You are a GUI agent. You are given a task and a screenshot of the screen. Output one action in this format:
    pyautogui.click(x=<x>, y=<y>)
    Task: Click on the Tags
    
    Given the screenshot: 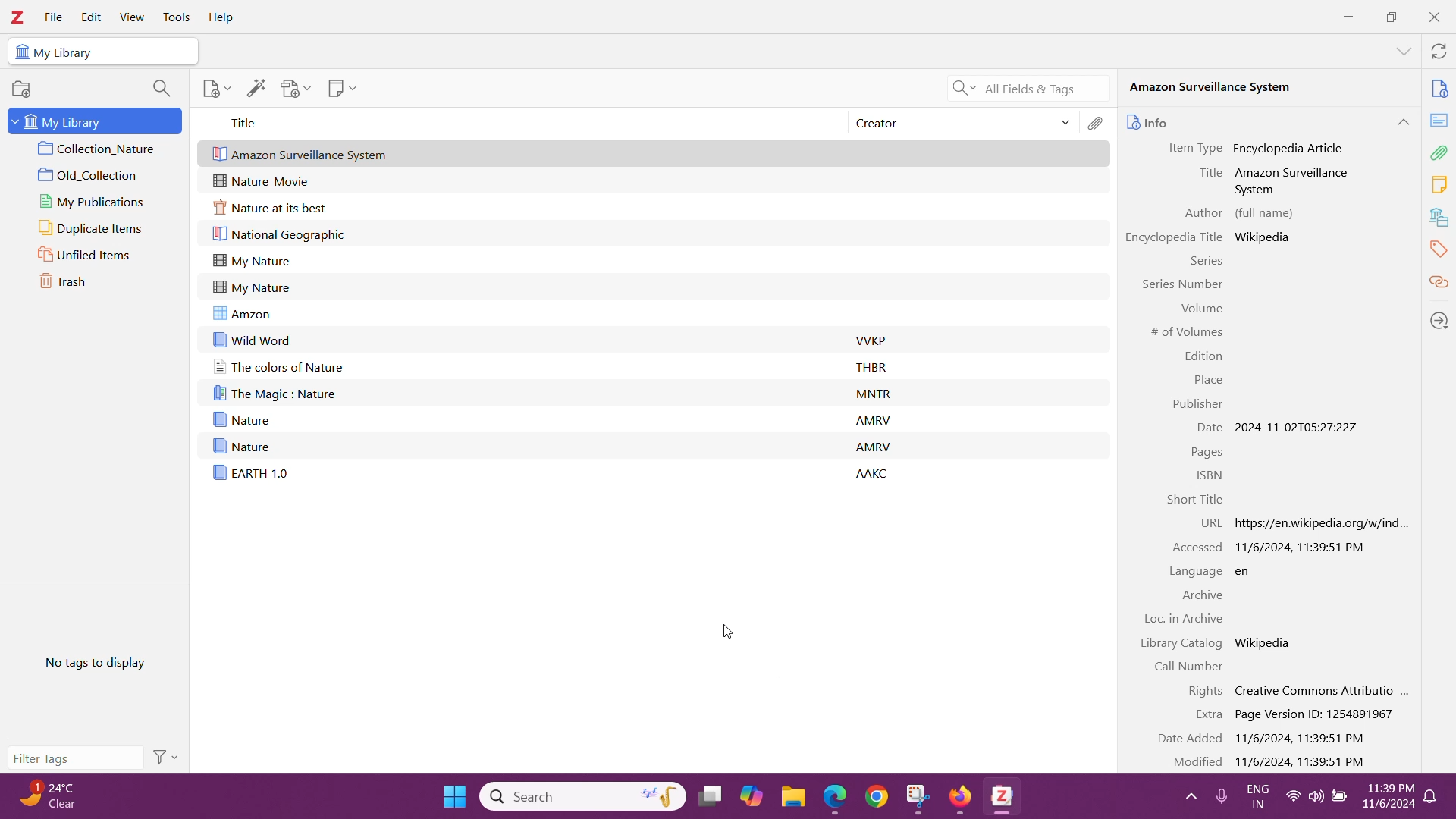 What is the action you would take?
    pyautogui.click(x=1439, y=251)
    